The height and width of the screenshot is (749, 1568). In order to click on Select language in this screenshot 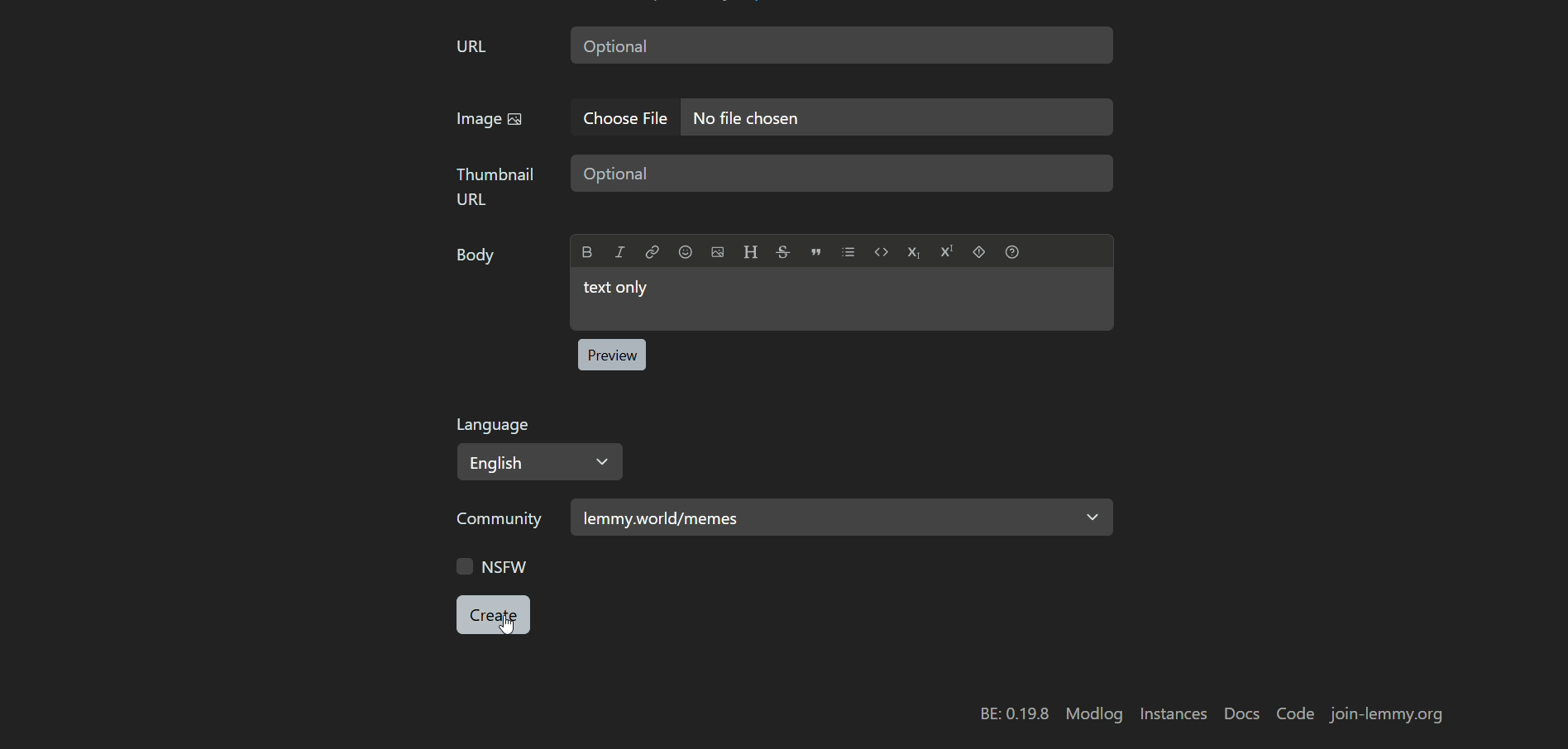, I will do `click(542, 462)`.